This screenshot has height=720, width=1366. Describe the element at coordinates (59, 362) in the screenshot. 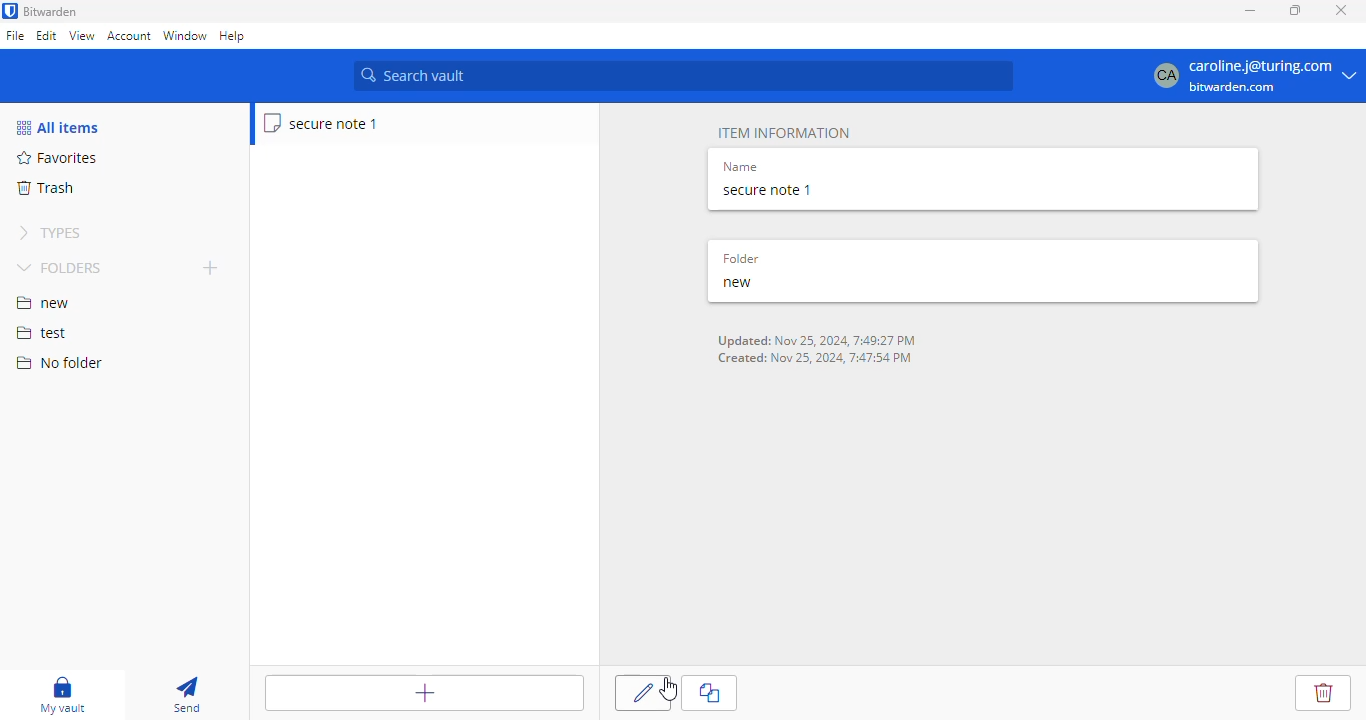

I see `no folder` at that location.